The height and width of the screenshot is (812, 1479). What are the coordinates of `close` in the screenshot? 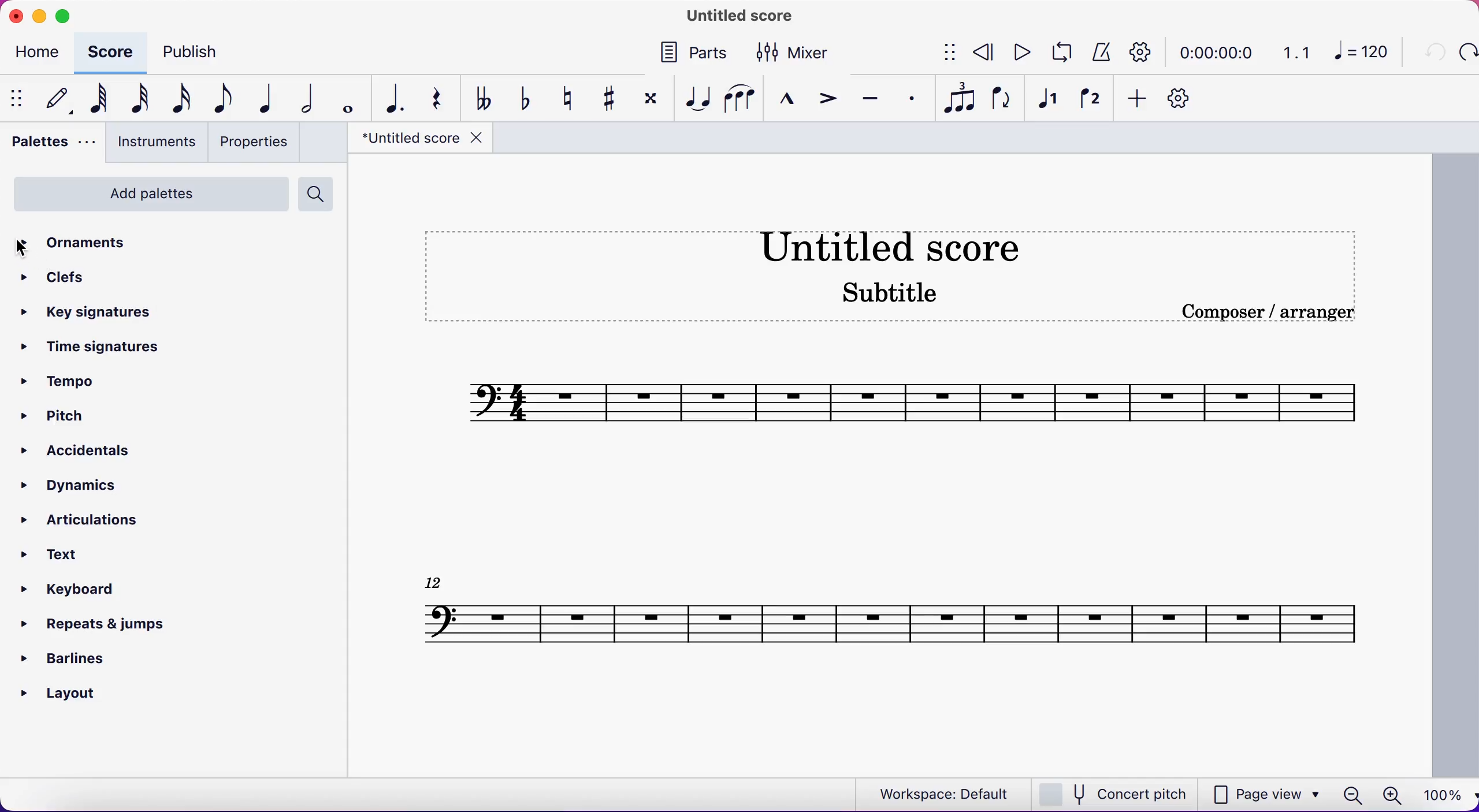 It's located at (15, 15).